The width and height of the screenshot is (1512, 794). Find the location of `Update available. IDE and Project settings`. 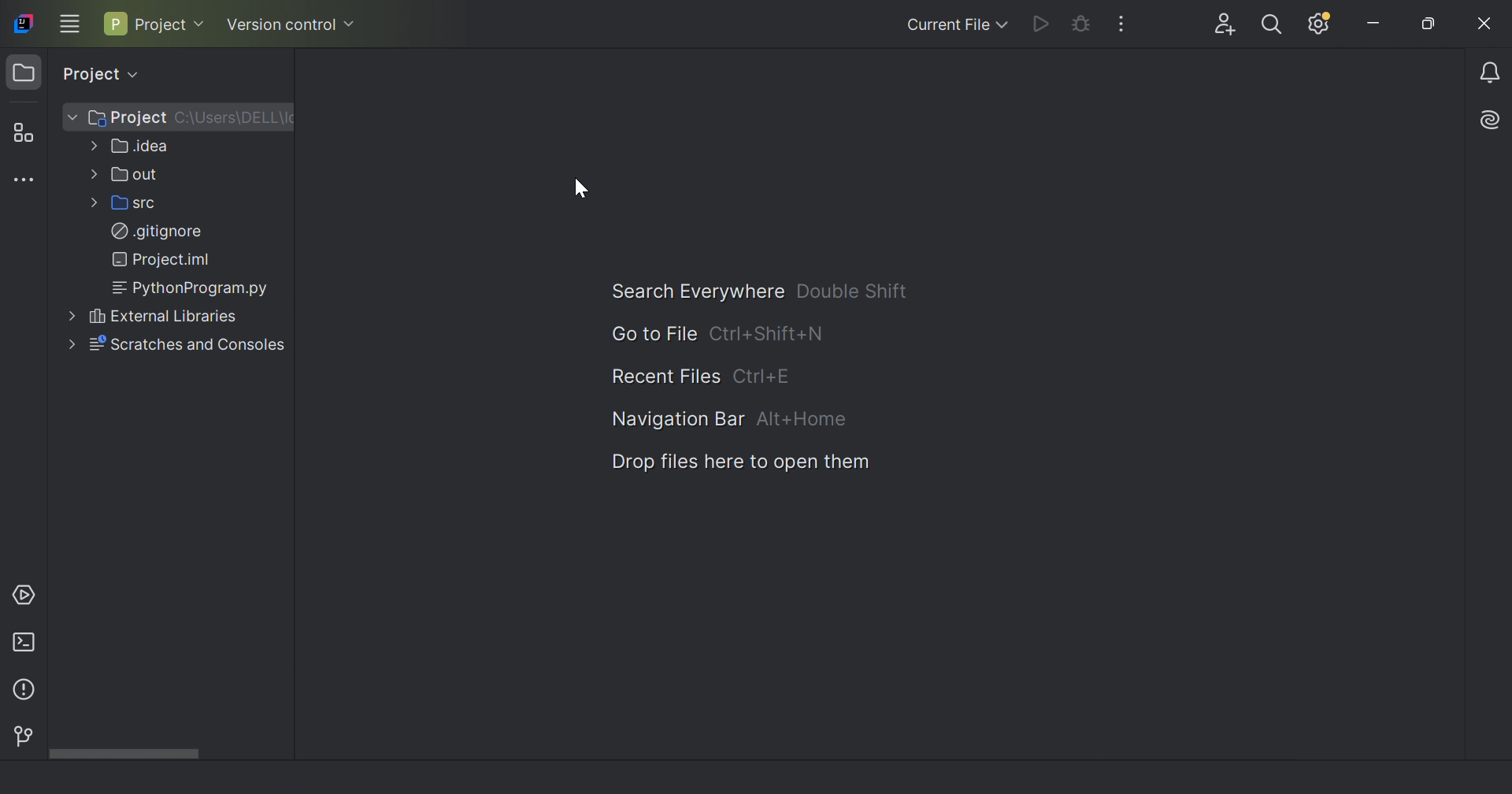

Update available. IDE and Project settings is located at coordinates (1321, 24).